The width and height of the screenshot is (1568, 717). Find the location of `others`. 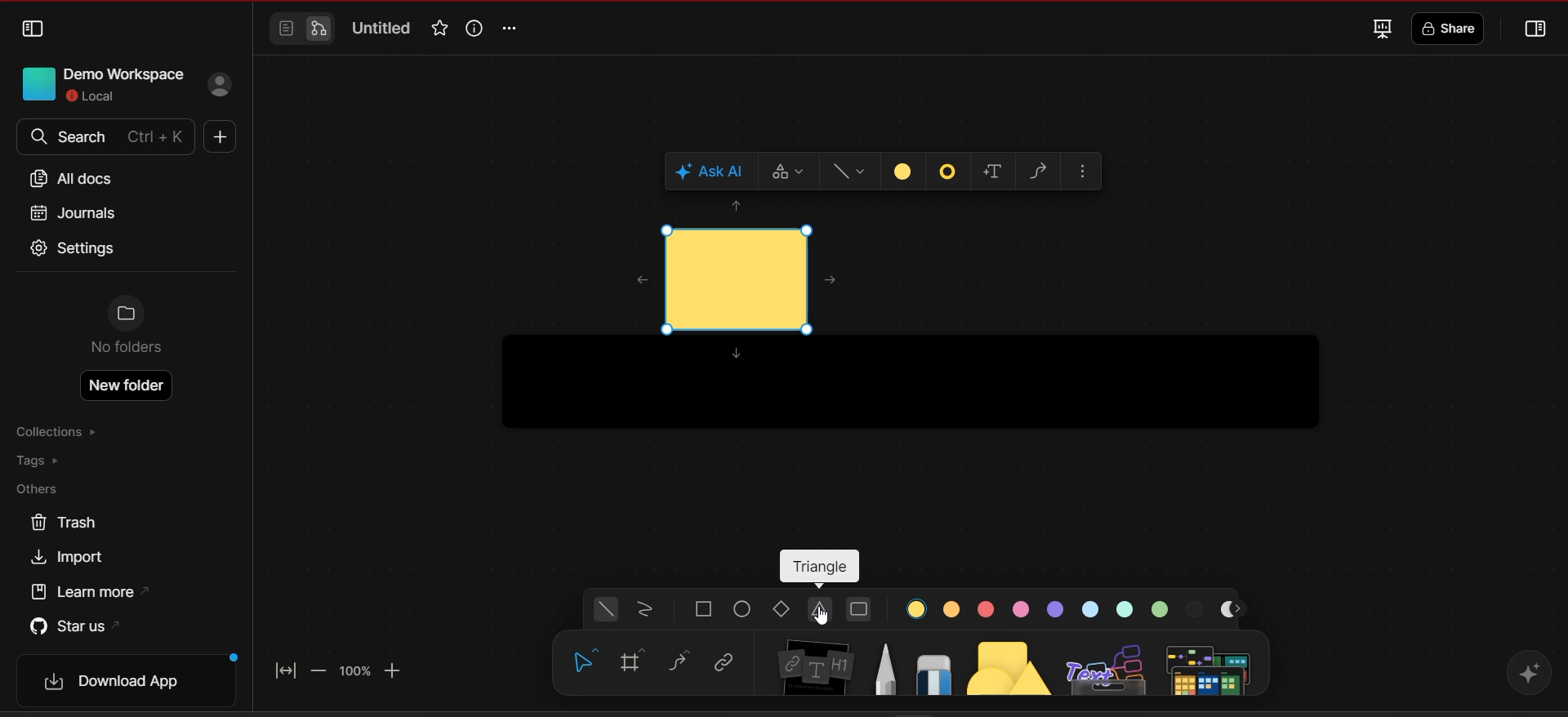

others is located at coordinates (1108, 666).